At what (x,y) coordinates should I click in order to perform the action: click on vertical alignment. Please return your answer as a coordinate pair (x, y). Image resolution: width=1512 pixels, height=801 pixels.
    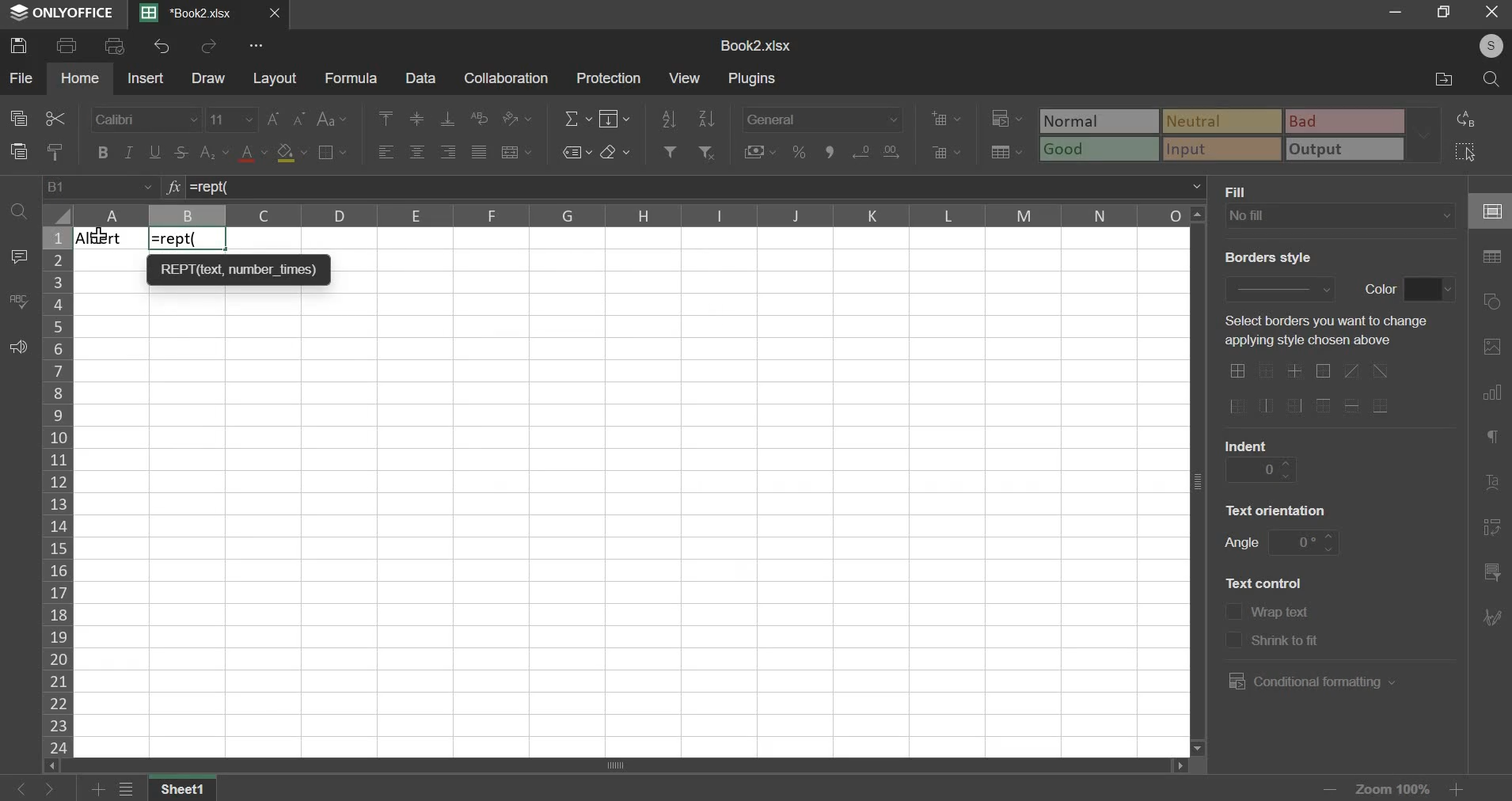
    Looking at the image, I should click on (418, 120).